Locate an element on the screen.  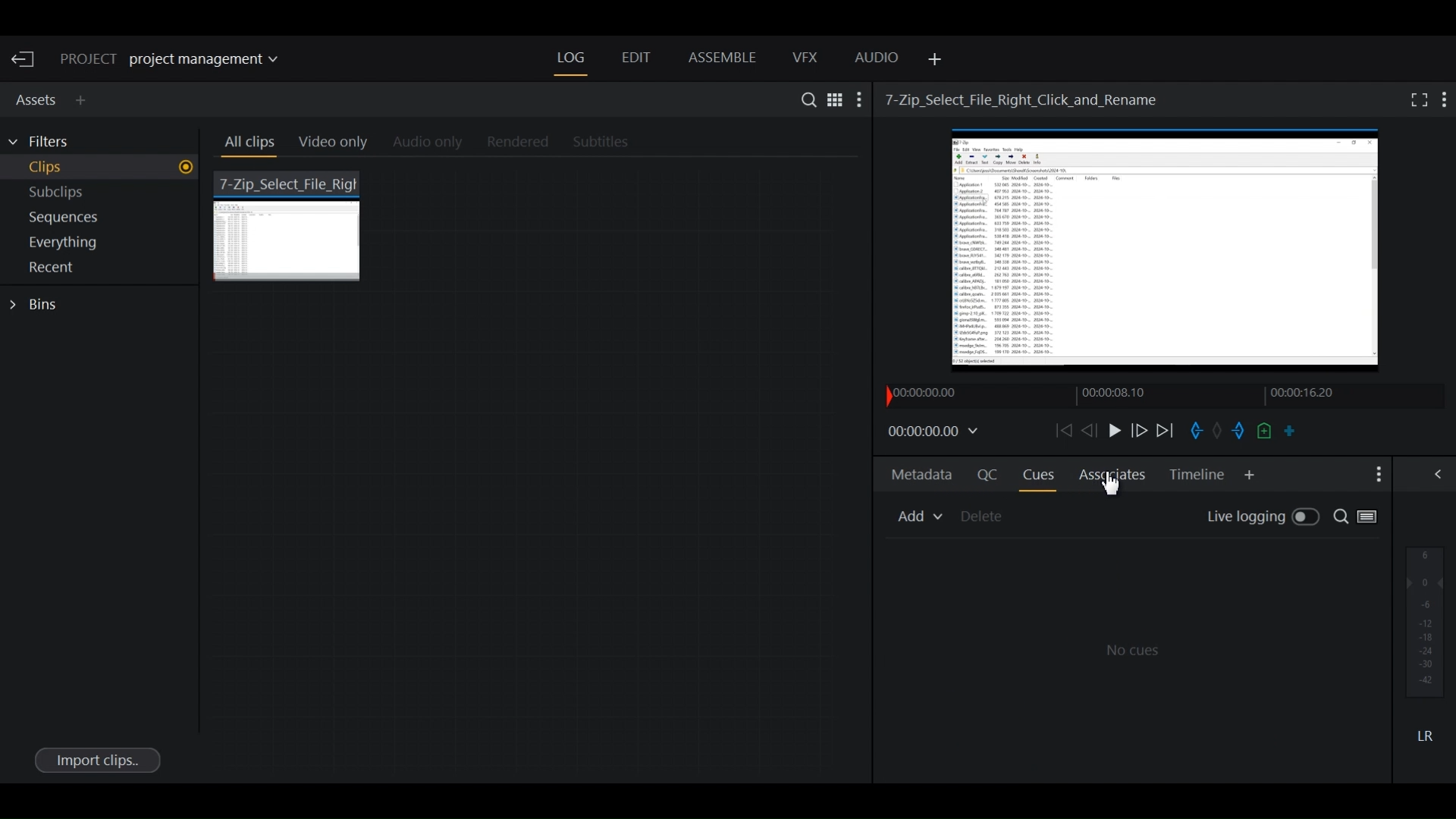
7 zip is located at coordinates (290, 224).